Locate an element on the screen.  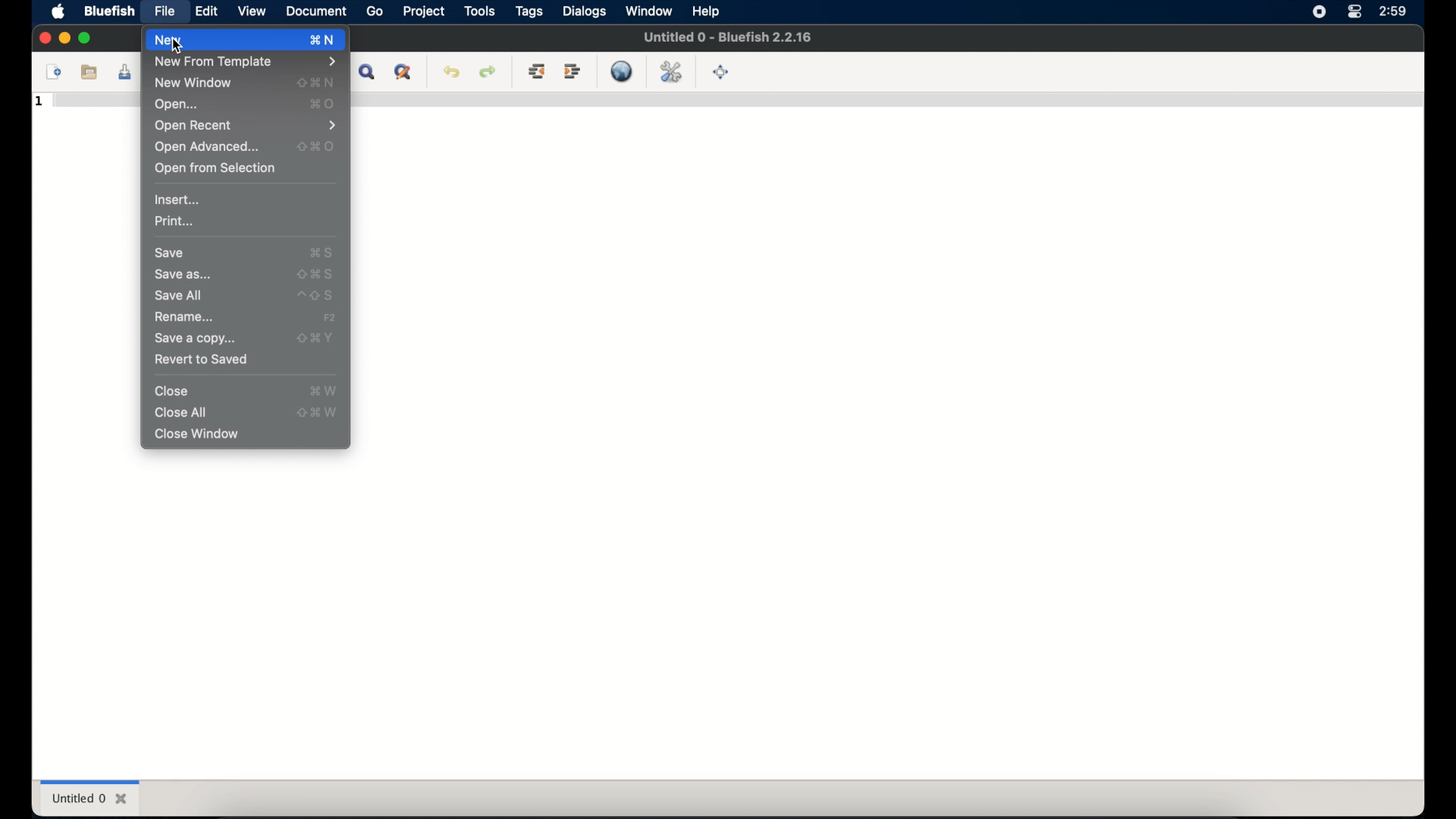
save shortcut is located at coordinates (322, 253).